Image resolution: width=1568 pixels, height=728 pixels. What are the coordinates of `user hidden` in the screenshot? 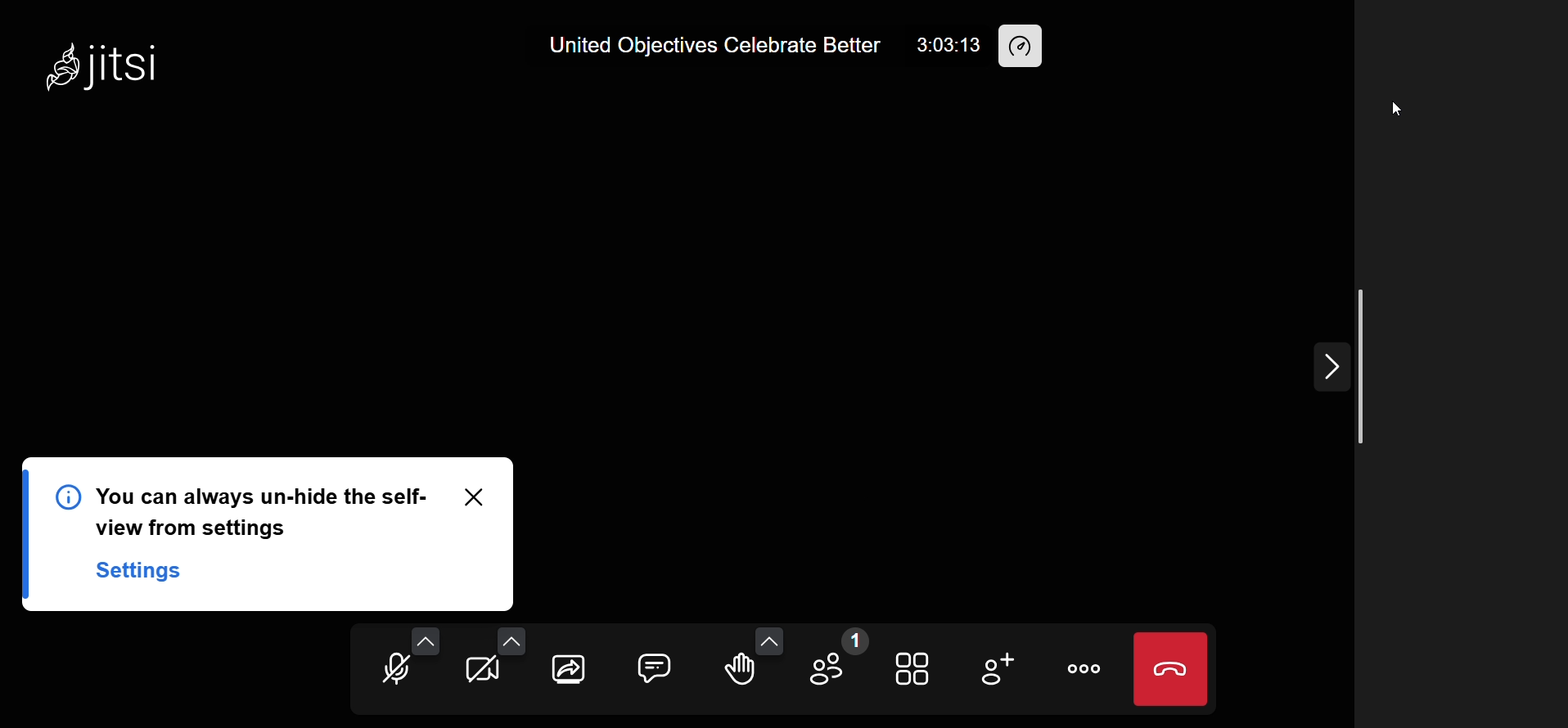 It's located at (1471, 50).